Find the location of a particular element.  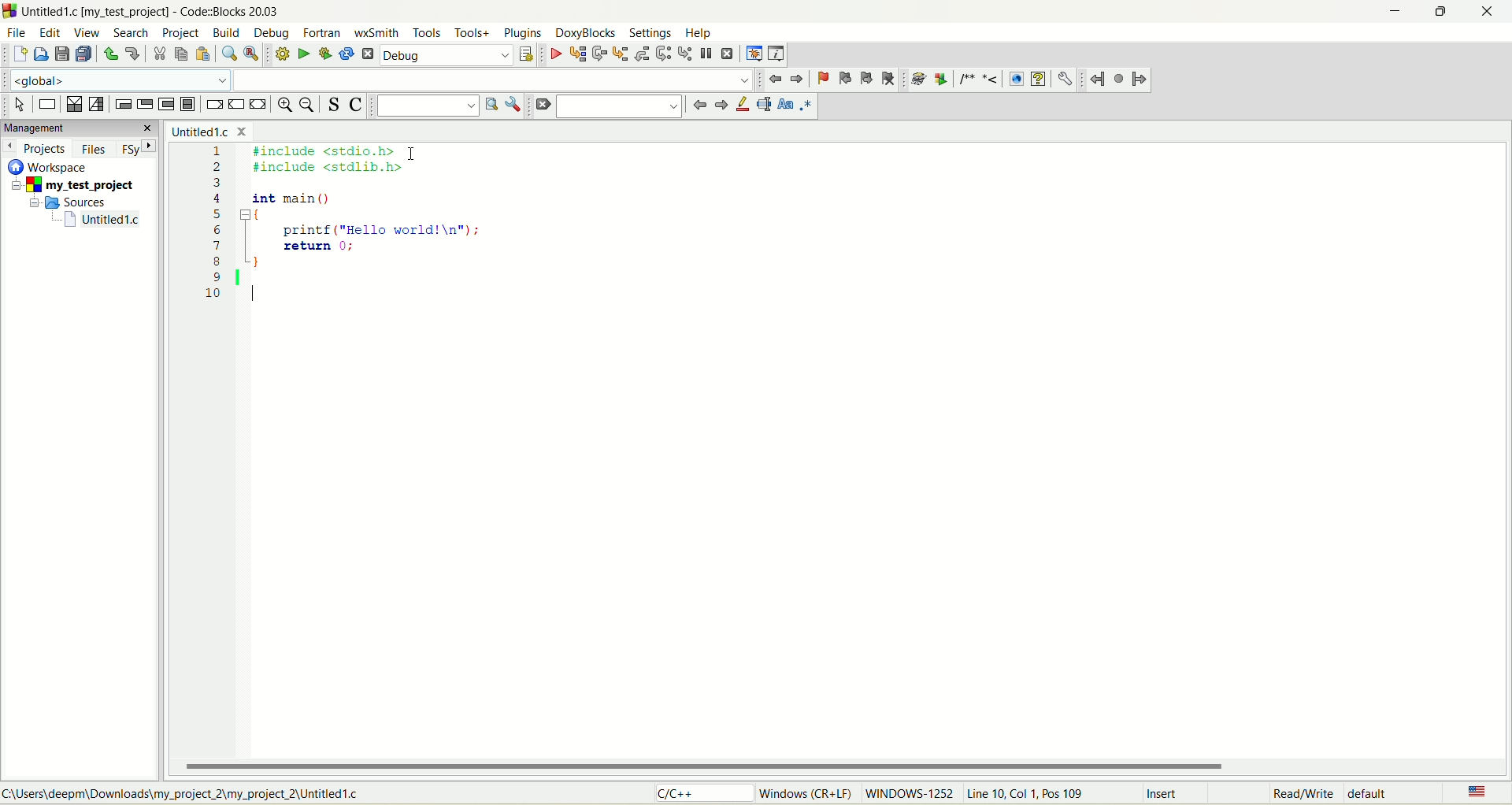

build and run is located at coordinates (326, 54).